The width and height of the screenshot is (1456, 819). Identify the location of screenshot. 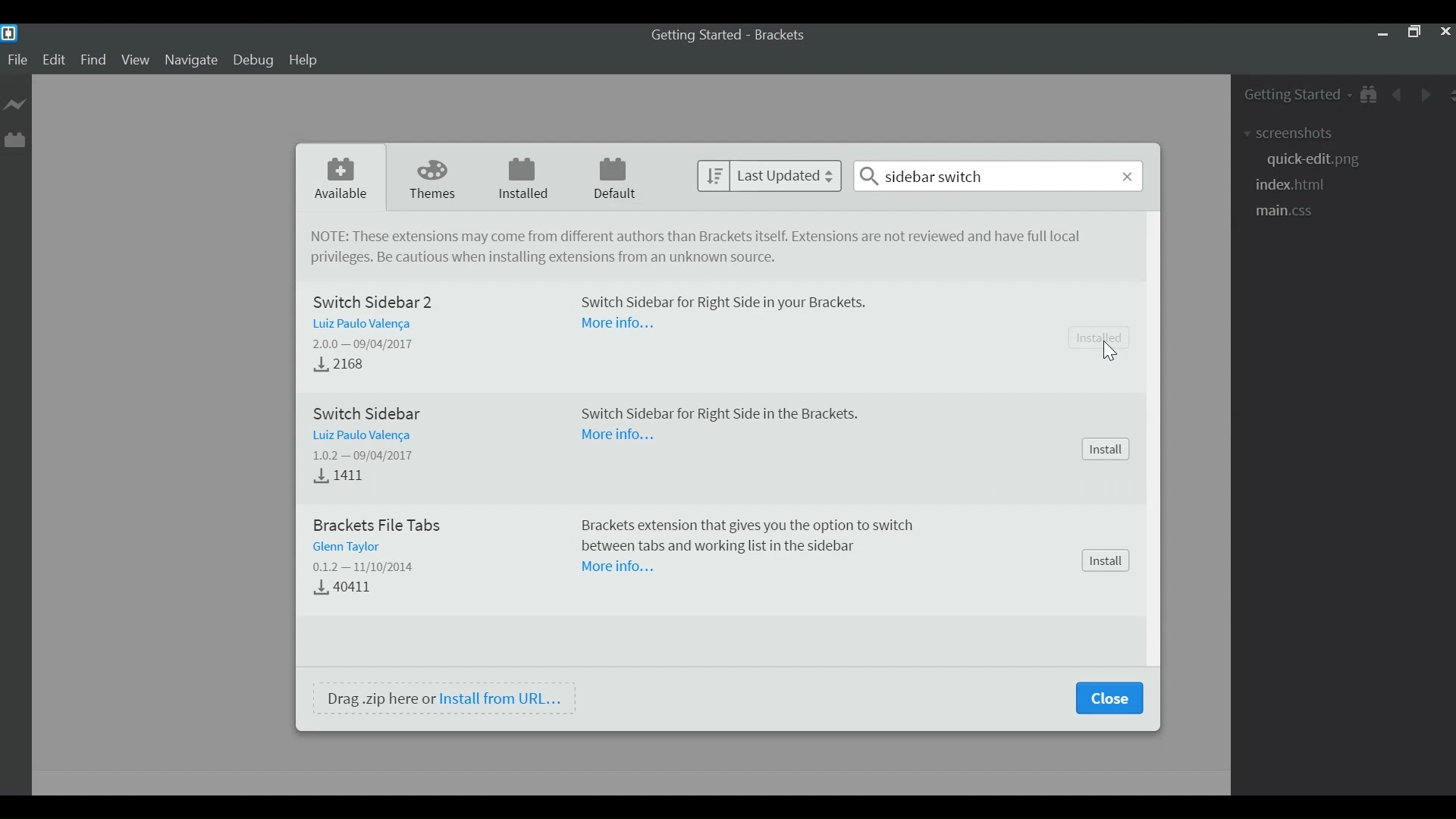
(1294, 134).